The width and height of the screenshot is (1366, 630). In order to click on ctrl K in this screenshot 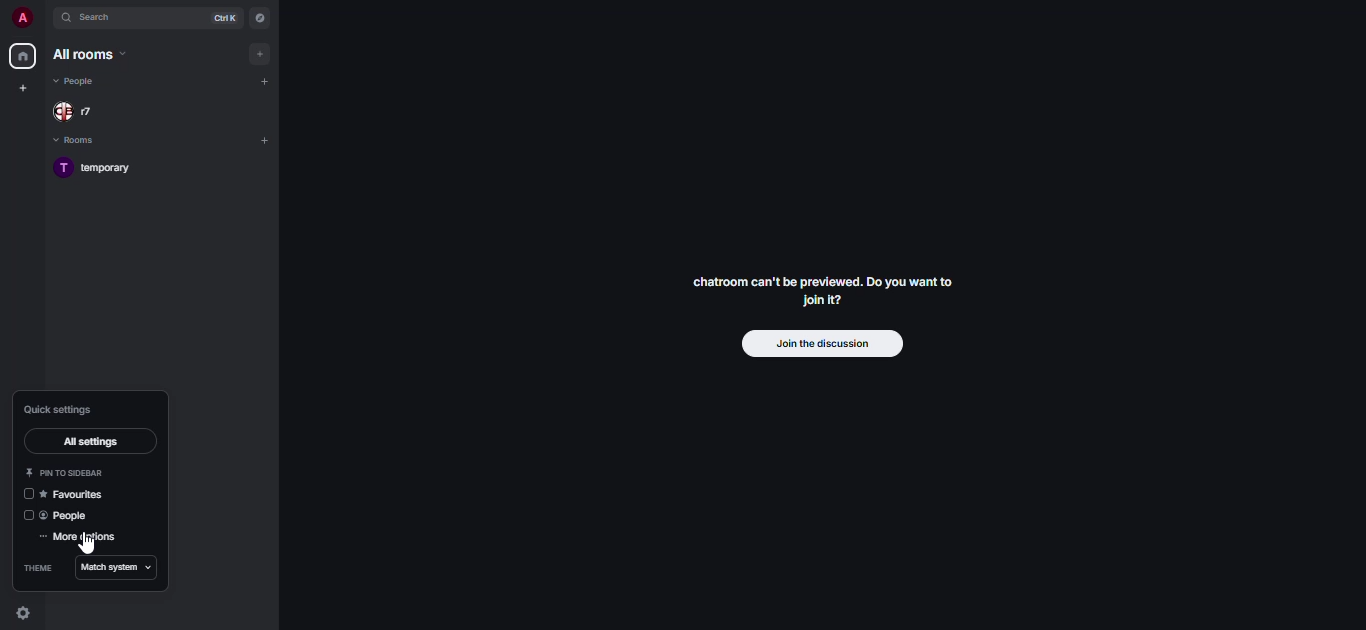, I will do `click(221, 18)`.